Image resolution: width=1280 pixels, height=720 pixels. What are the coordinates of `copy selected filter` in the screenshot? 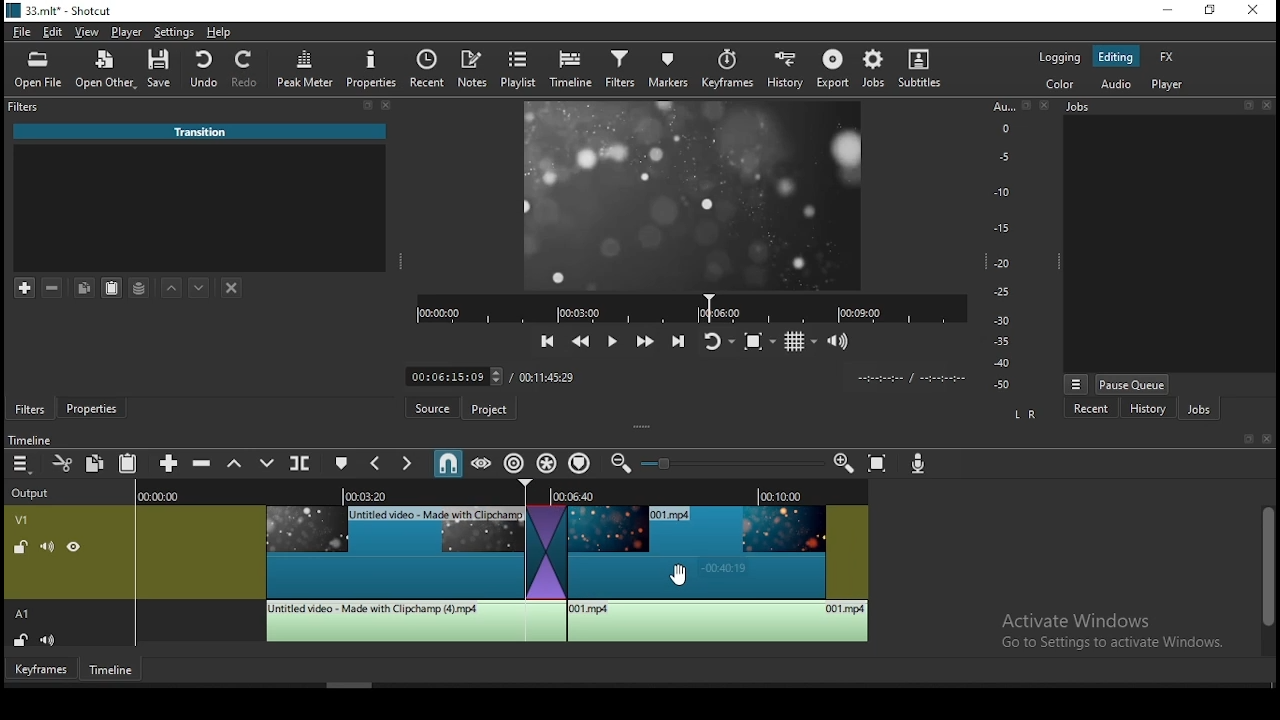 It's located at (85, 286).